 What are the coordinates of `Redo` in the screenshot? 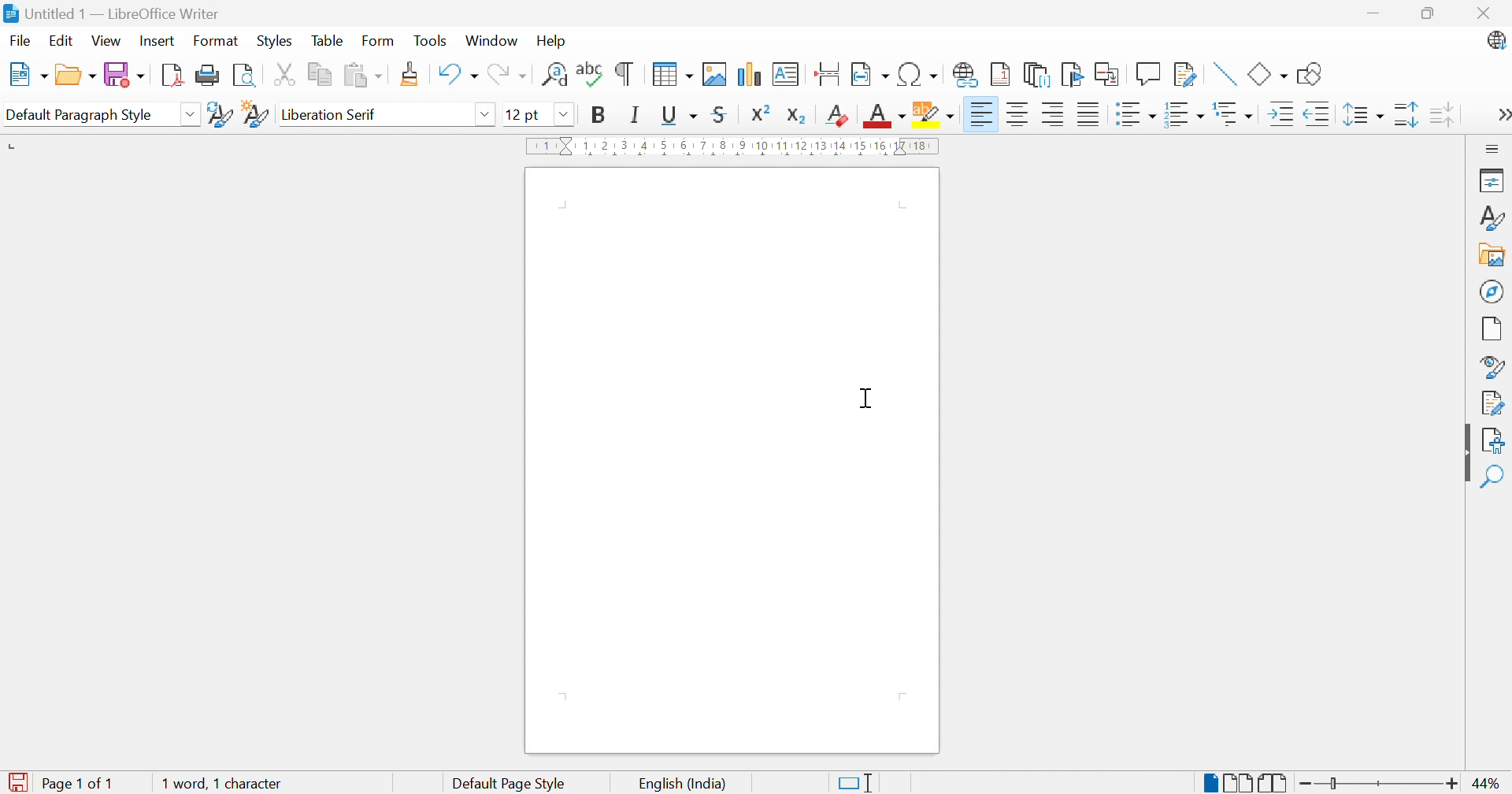 It's located at (506, 76).